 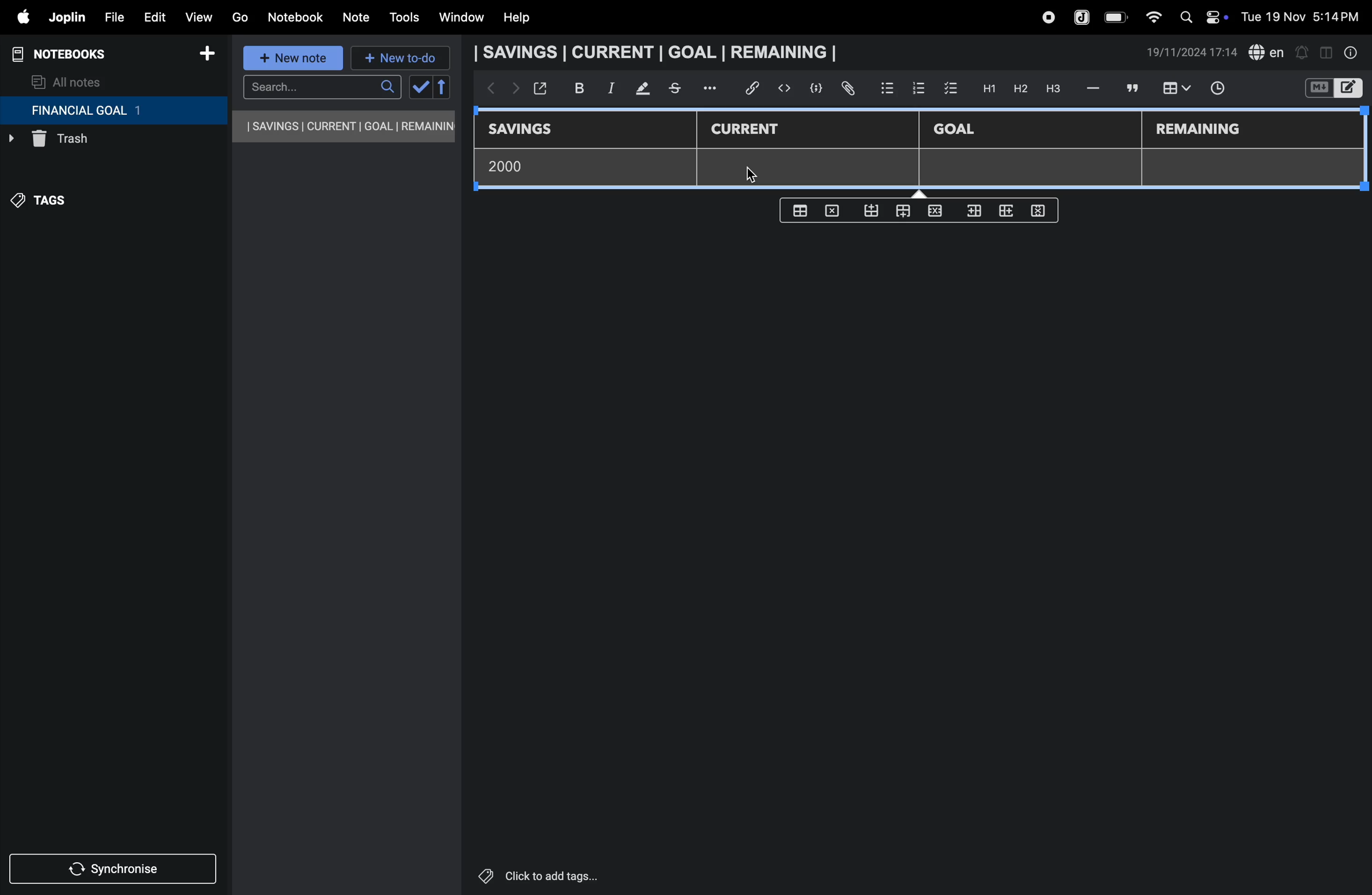 What do you see at coordinates (65, 17) in the screenshot?
I see `joplin menu` at bounding box center [65, 17].